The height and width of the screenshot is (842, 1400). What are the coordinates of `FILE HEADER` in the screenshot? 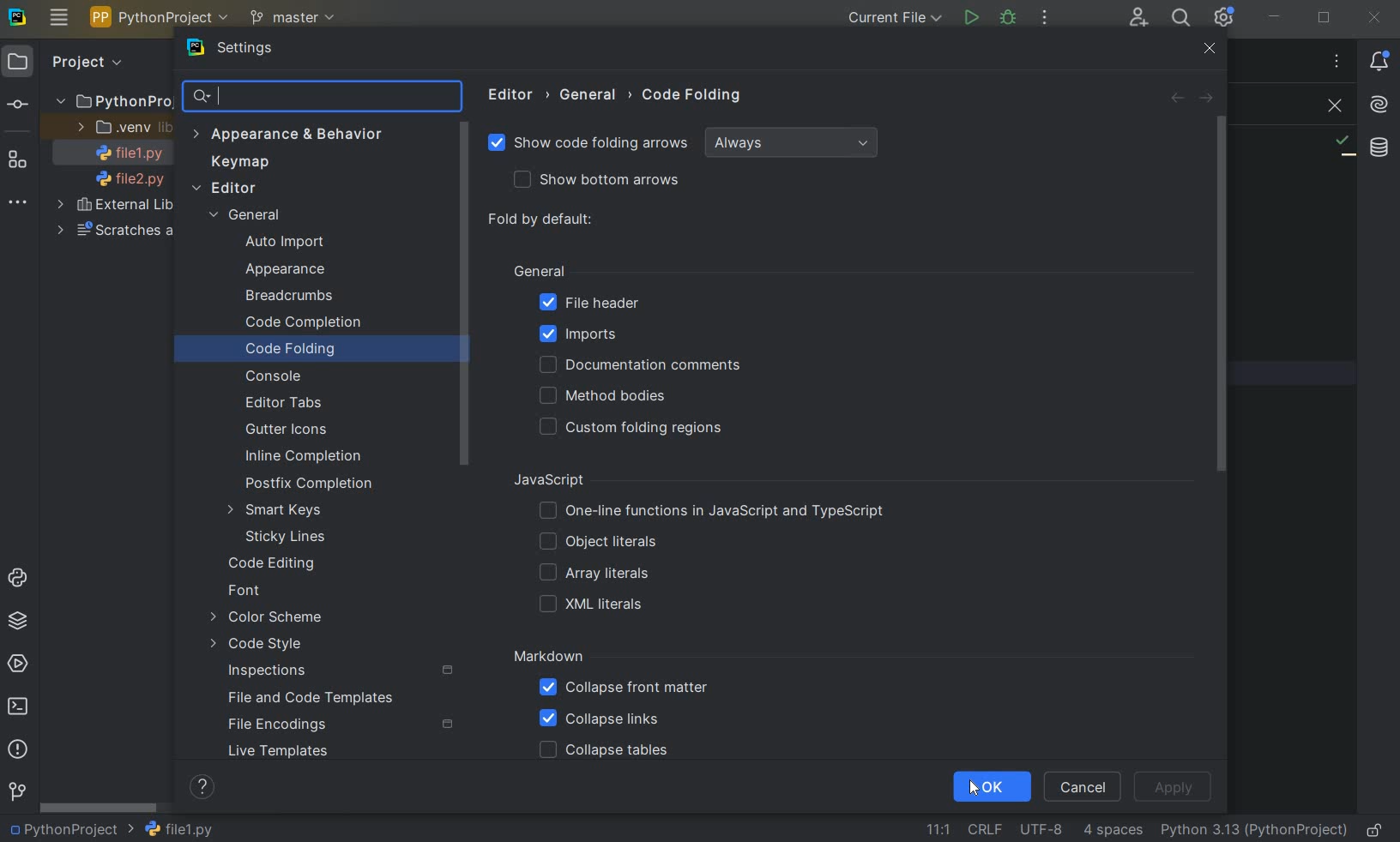 It's located at (588, 304).